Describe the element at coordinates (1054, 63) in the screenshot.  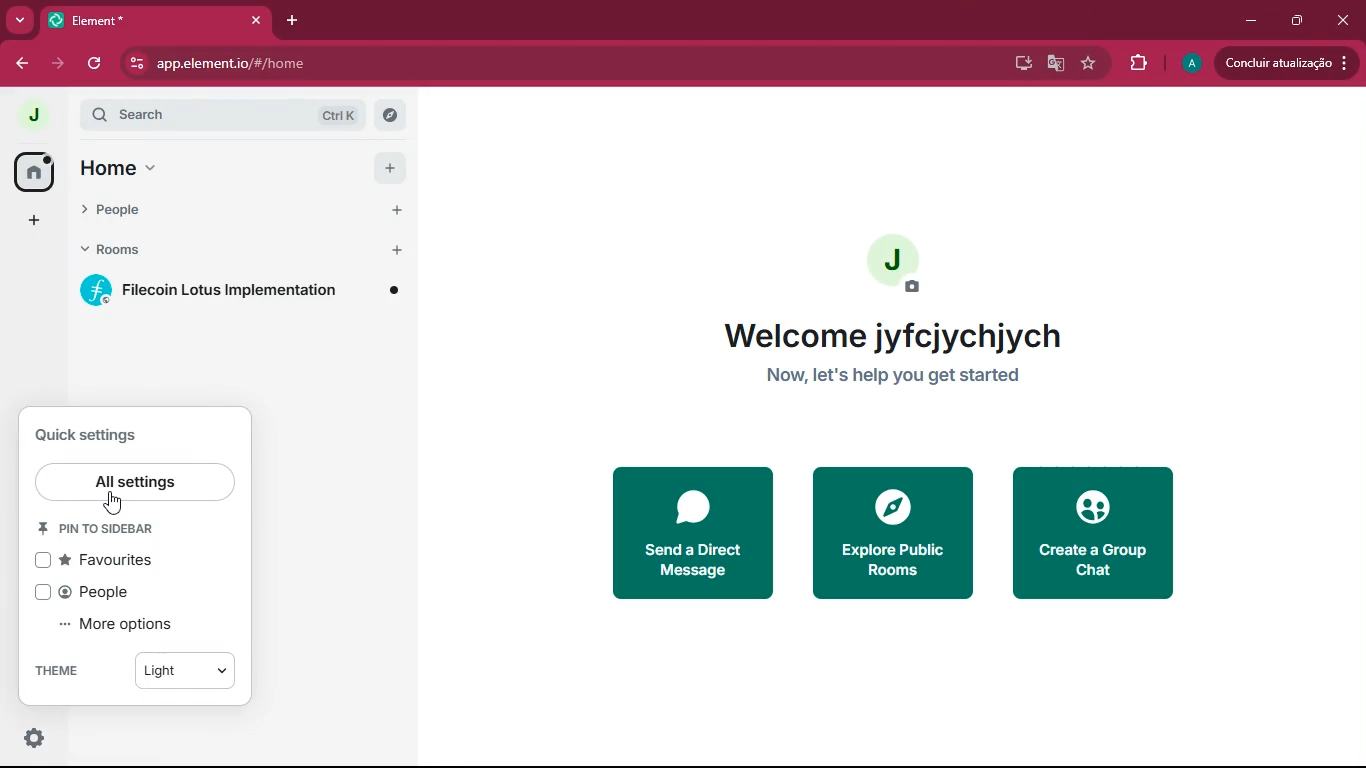
I see `google translate` at that location.